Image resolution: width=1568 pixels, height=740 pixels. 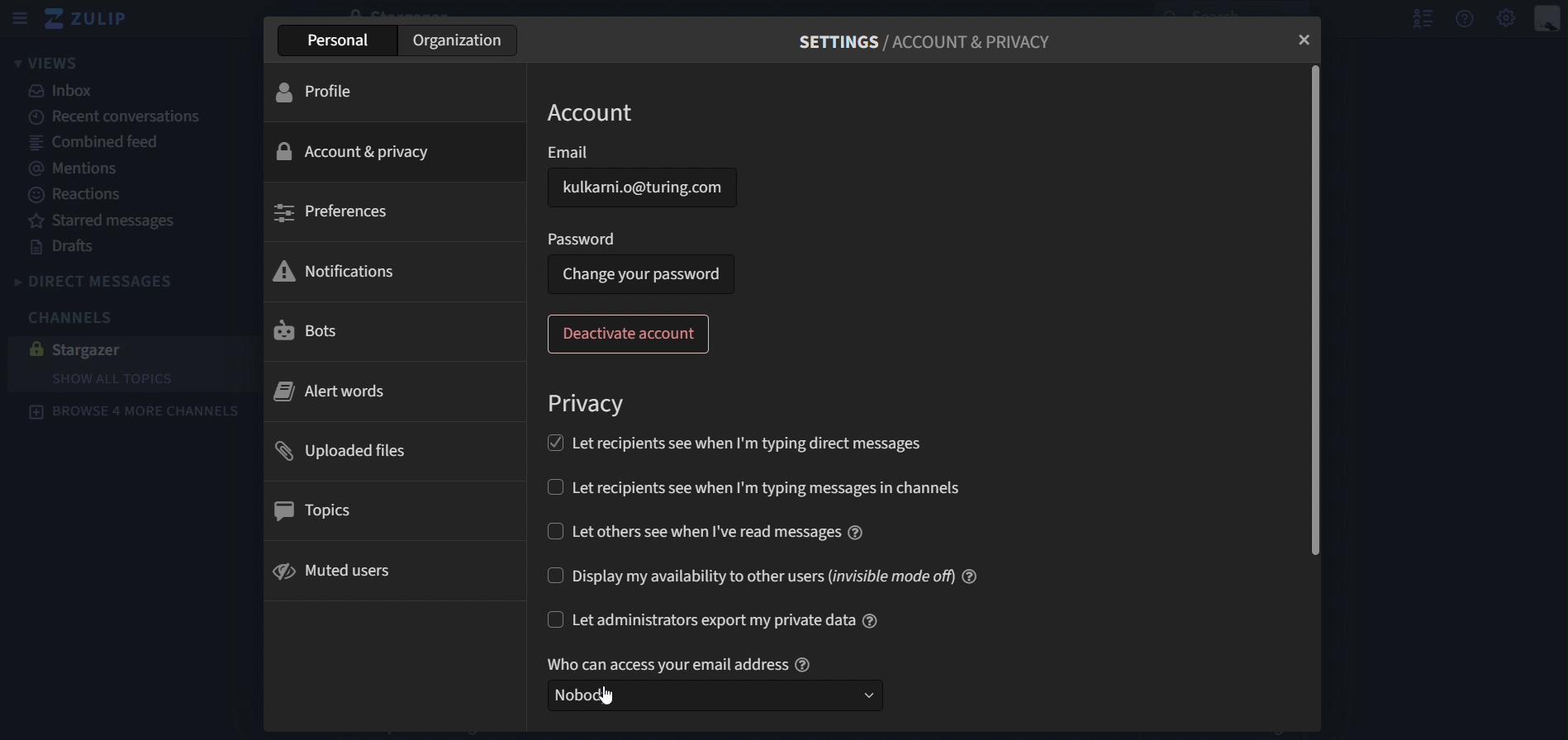 I want to click on browse 4 more channels, so click(x=128, y=414).